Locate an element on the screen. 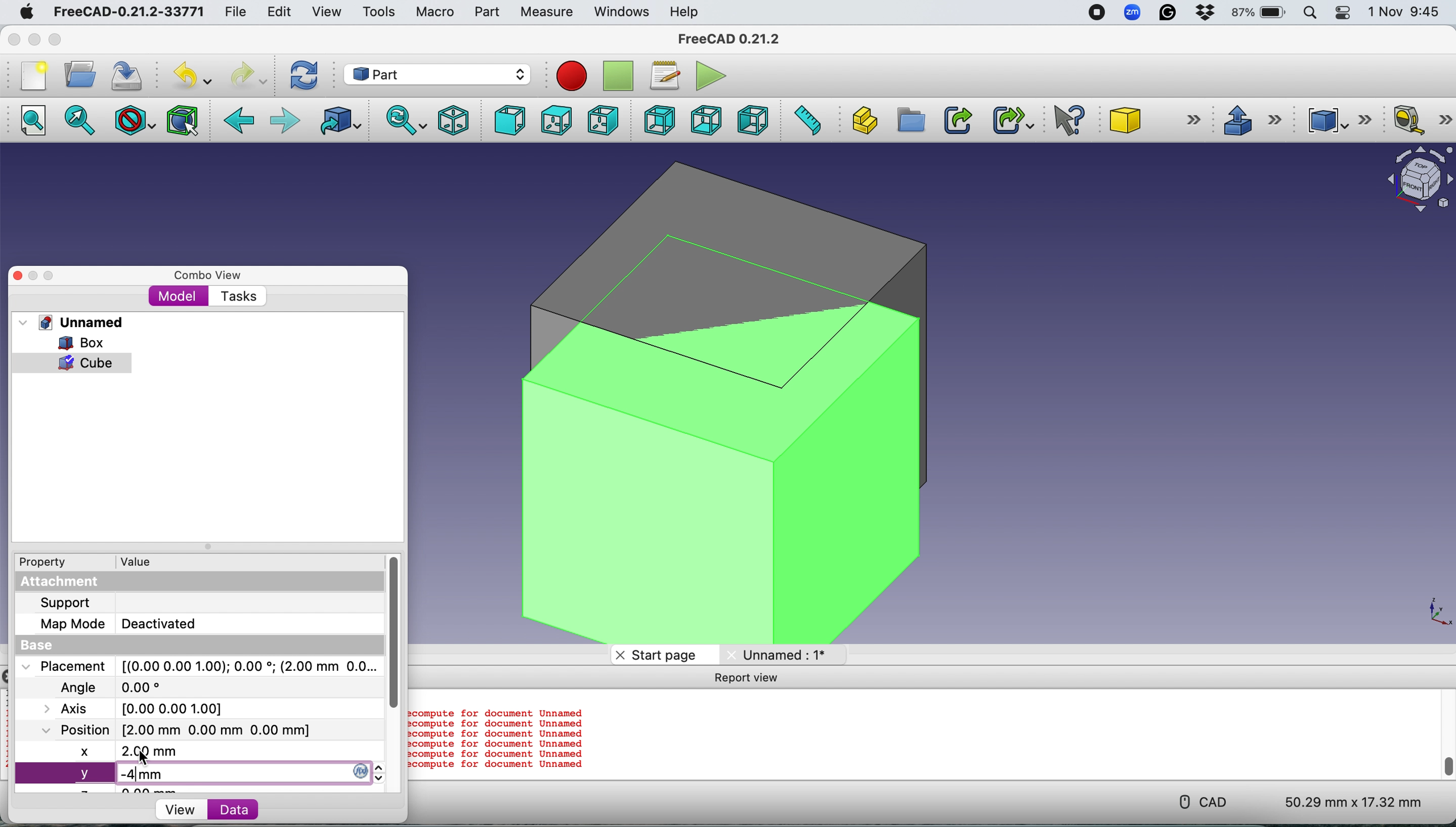 The width and height of the screenshot is (1456, 827). Unnamed: 1* is located at coordinates (789, 654).